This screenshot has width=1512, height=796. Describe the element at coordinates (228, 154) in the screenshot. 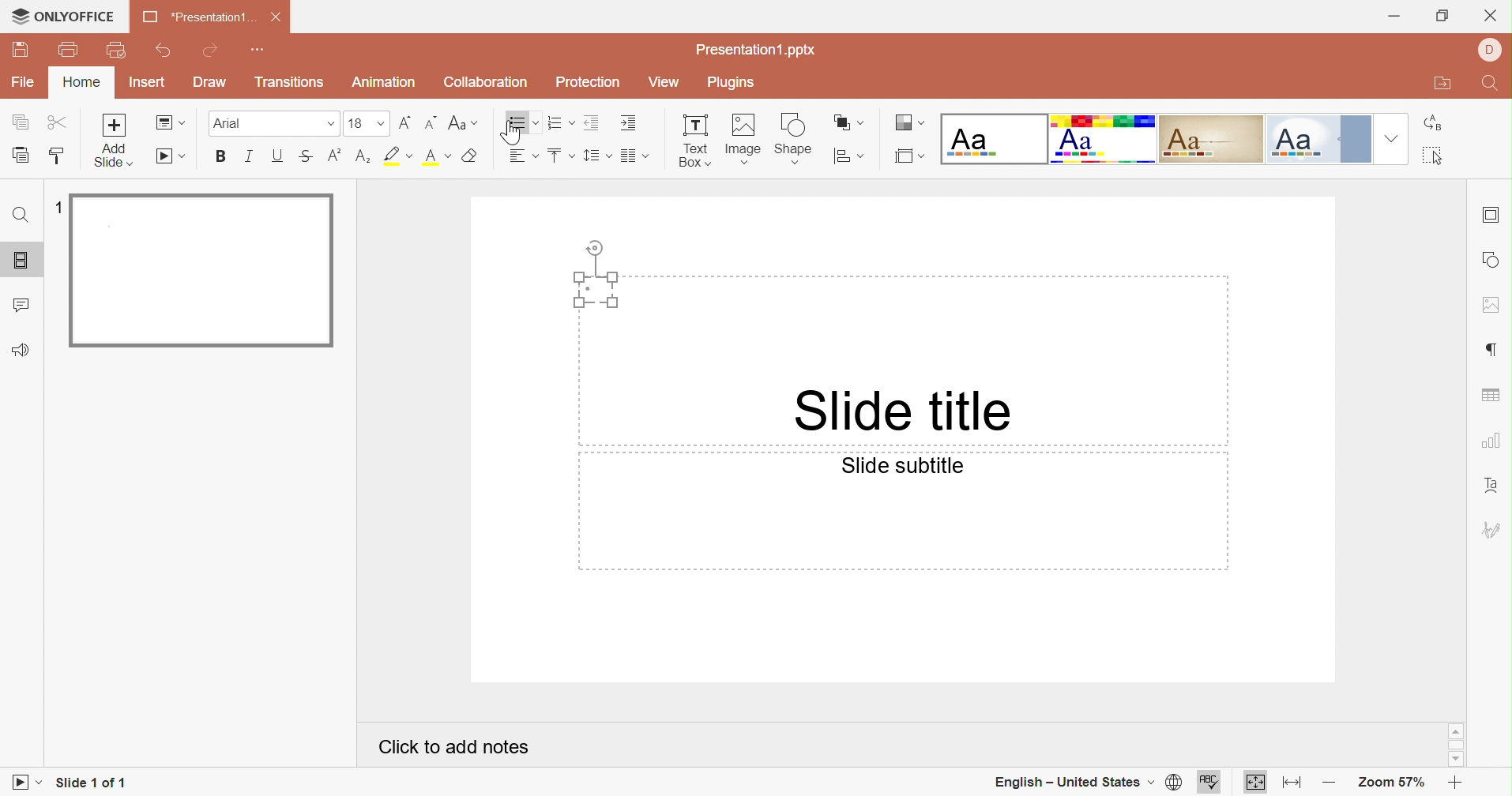

I see `Bold` at that location.